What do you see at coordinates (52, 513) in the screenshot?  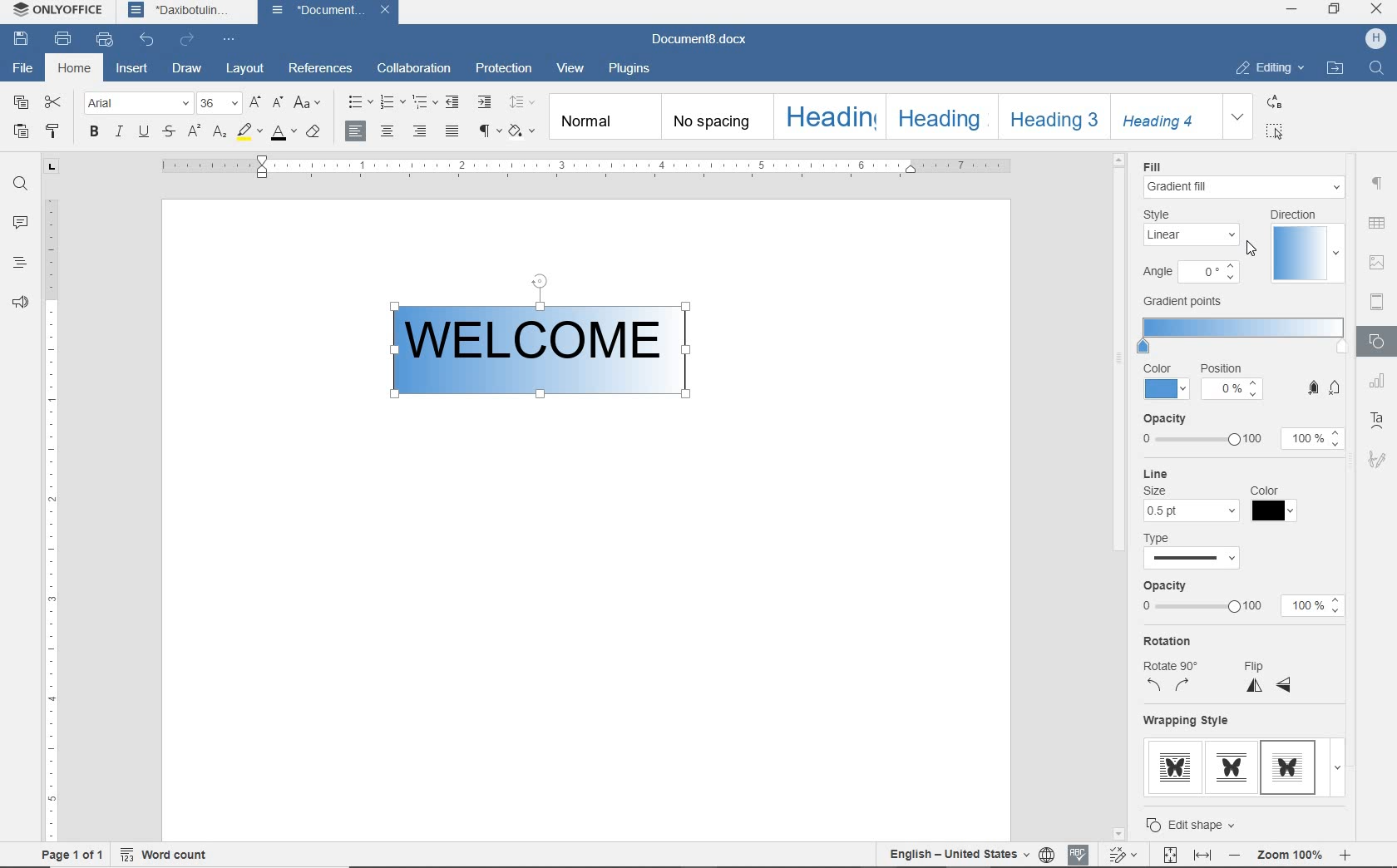 I see `RULER` at bounding box center [52, 513].